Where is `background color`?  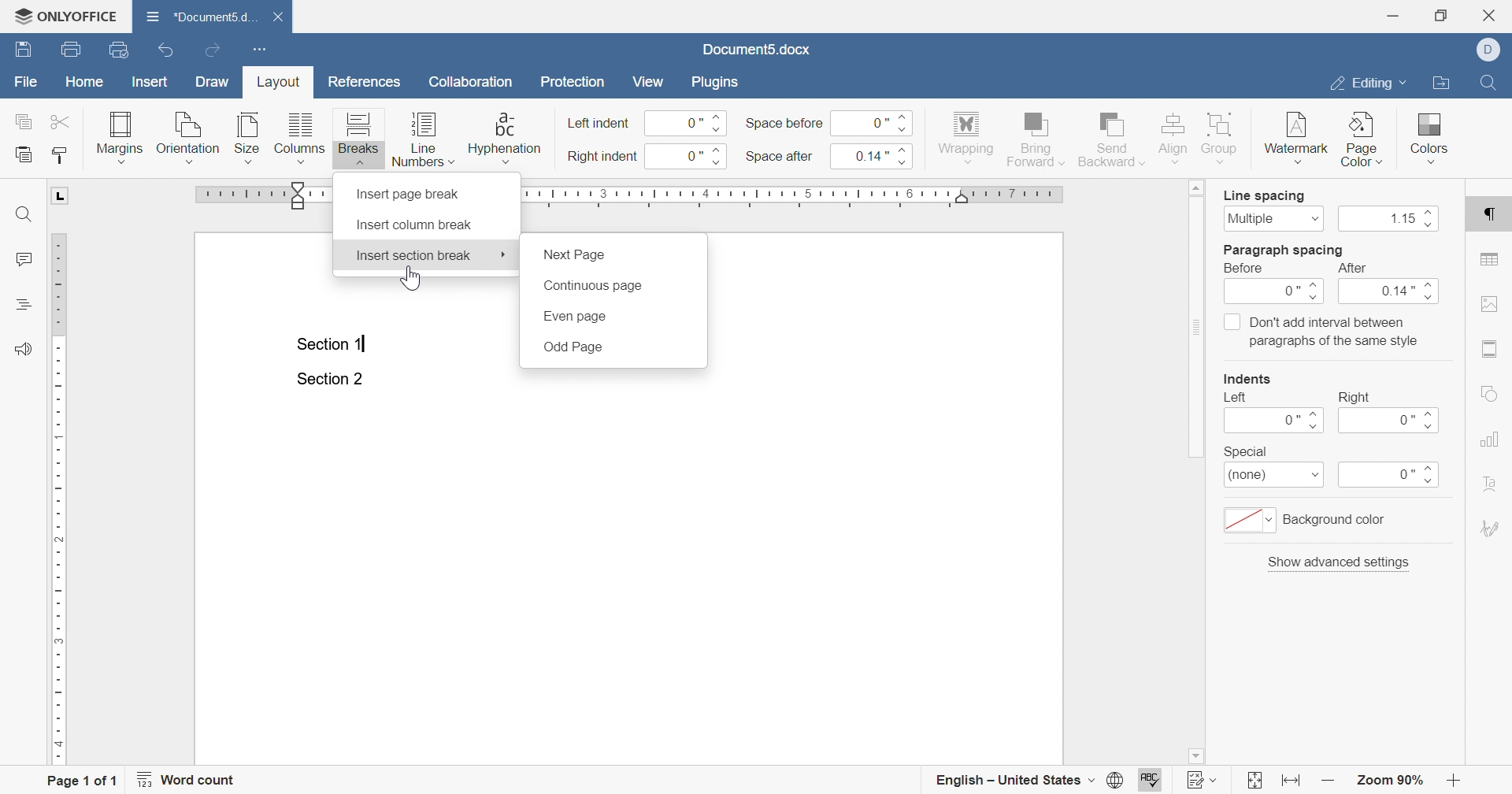 background color is located at coordinates (1309, 520).